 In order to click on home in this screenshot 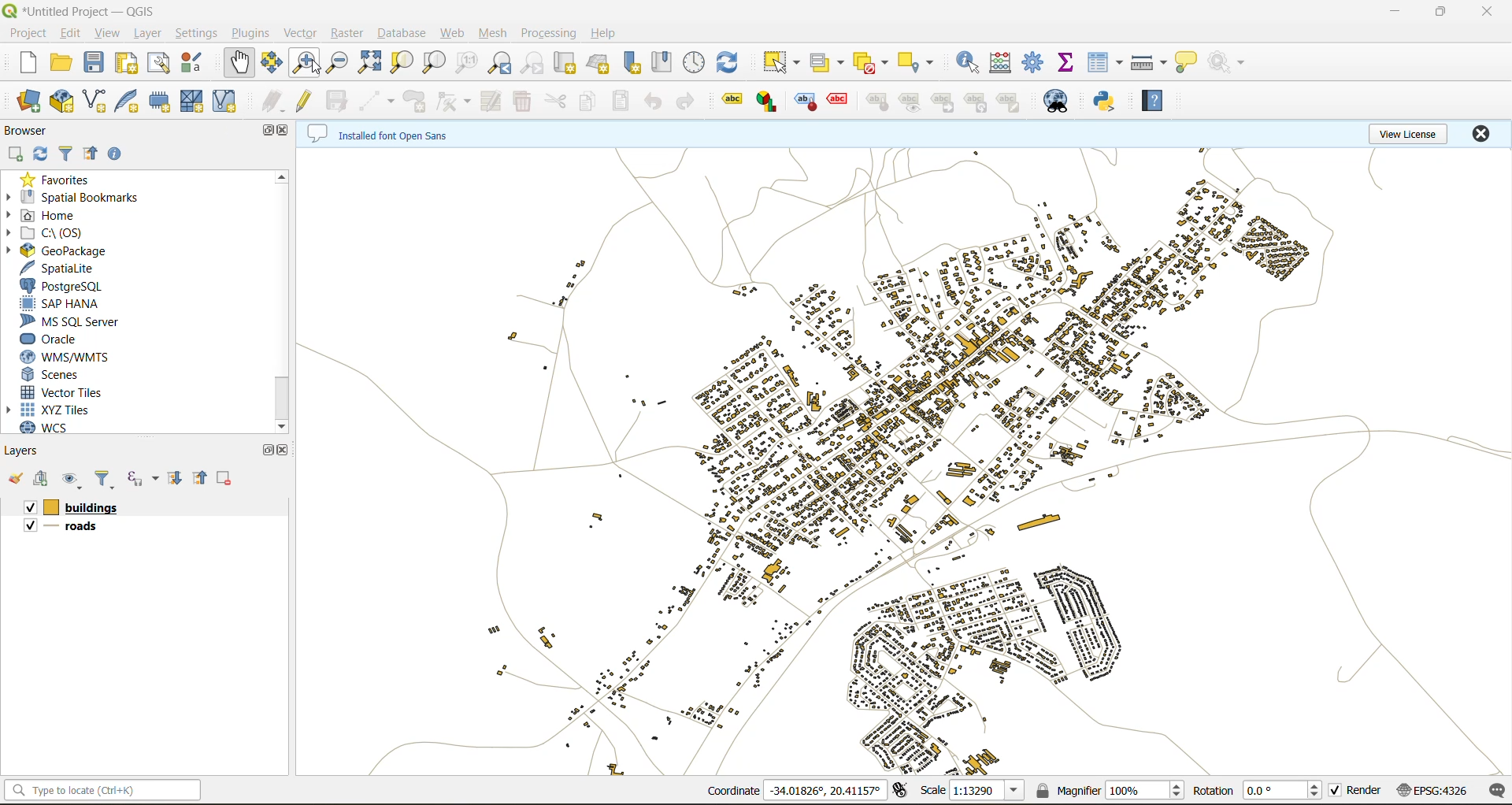, I will do `click(54, 214)`.